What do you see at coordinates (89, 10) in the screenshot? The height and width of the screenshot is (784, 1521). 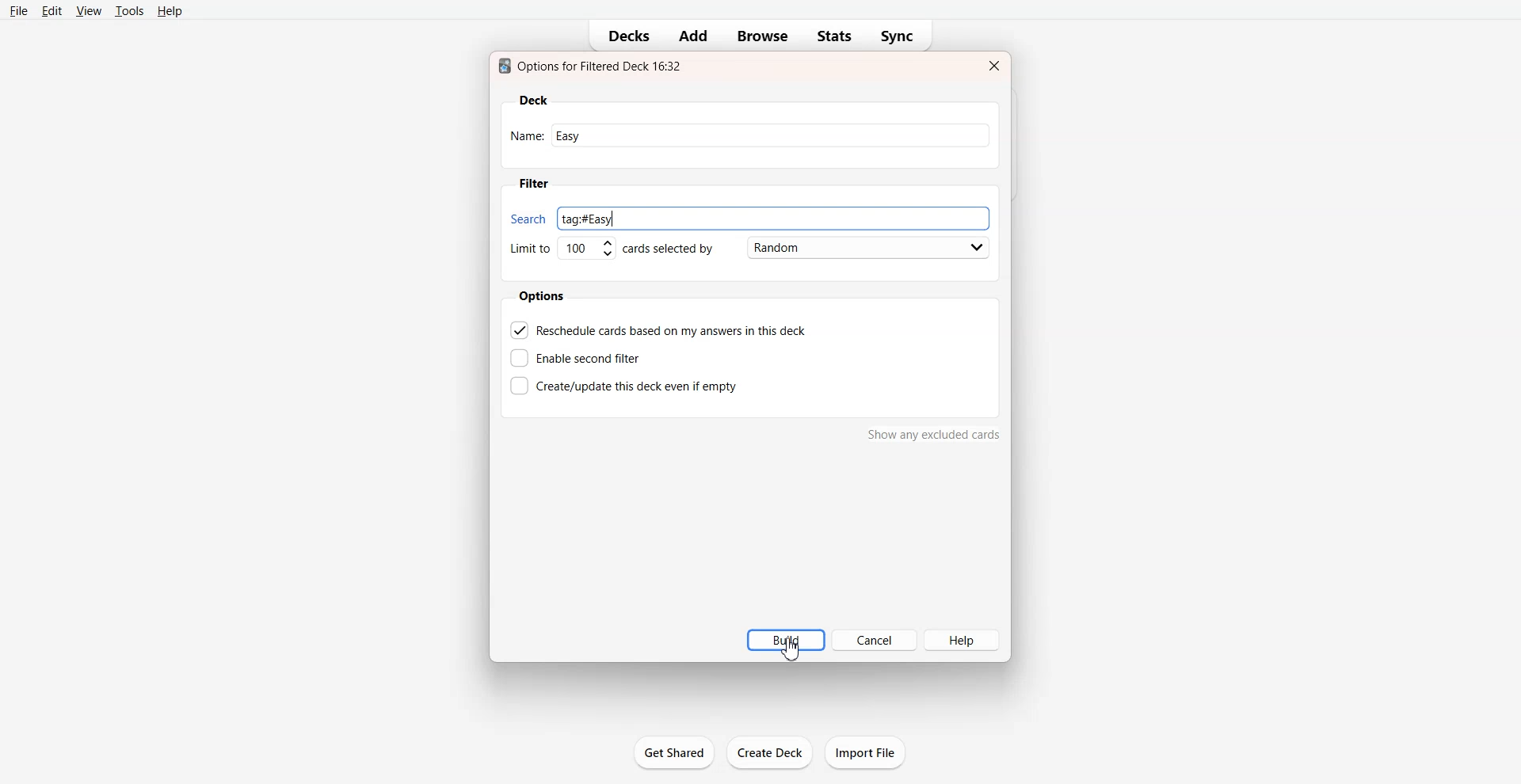 I see `View` at bounding box center [89, 10].